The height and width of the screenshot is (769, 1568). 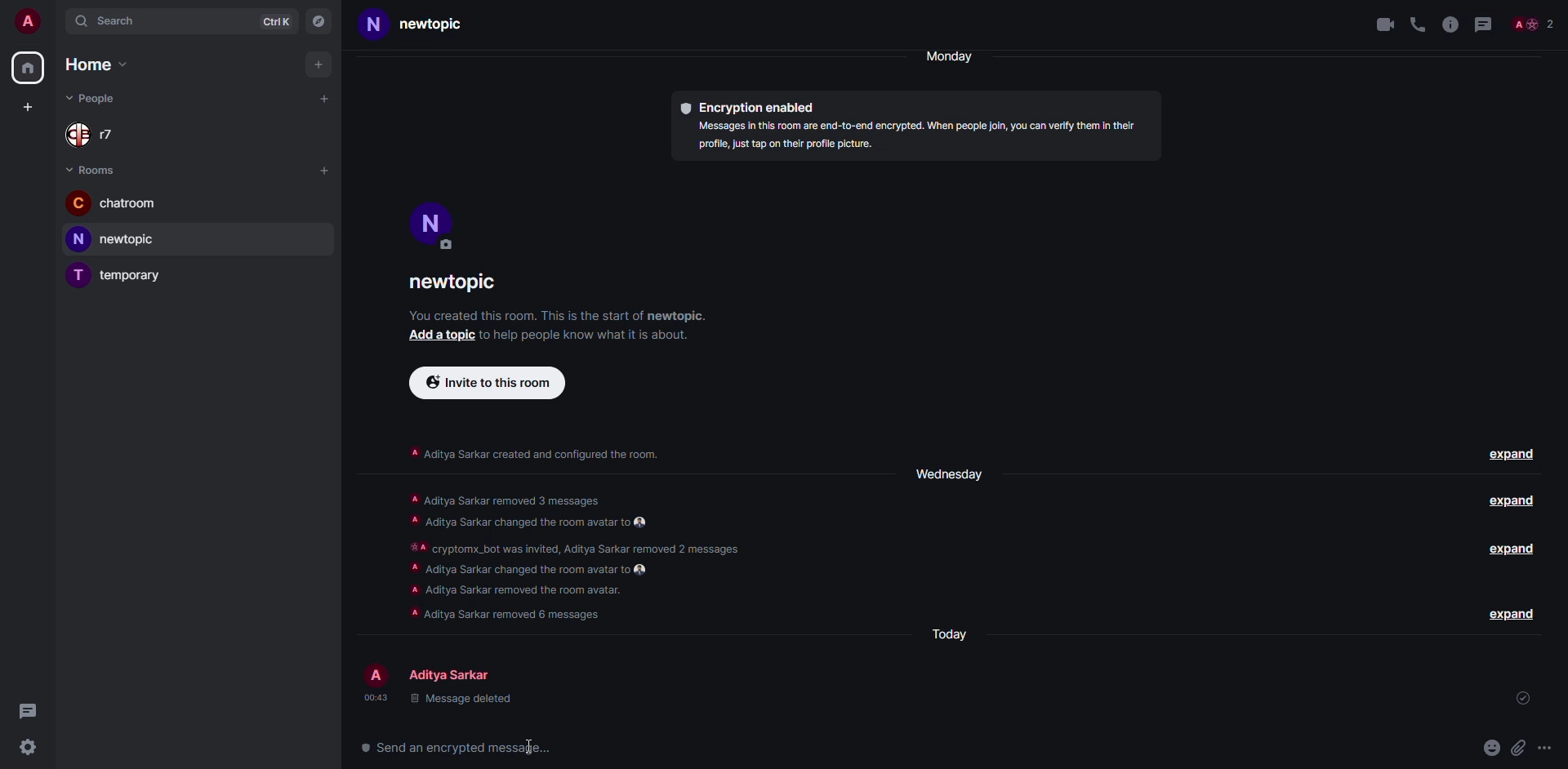 I want to click on search, so click(x=110, y=22).